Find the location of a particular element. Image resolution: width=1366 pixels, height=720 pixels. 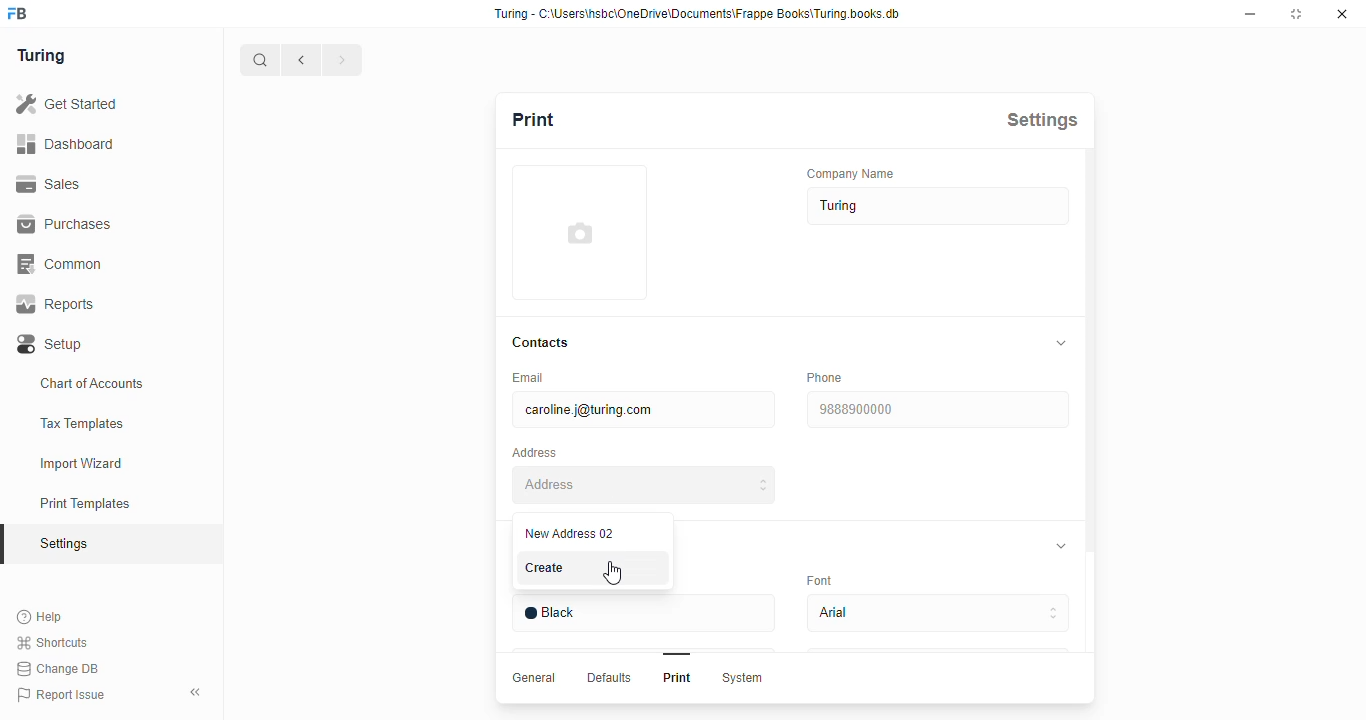

reports is located at coordinates (56, 304).